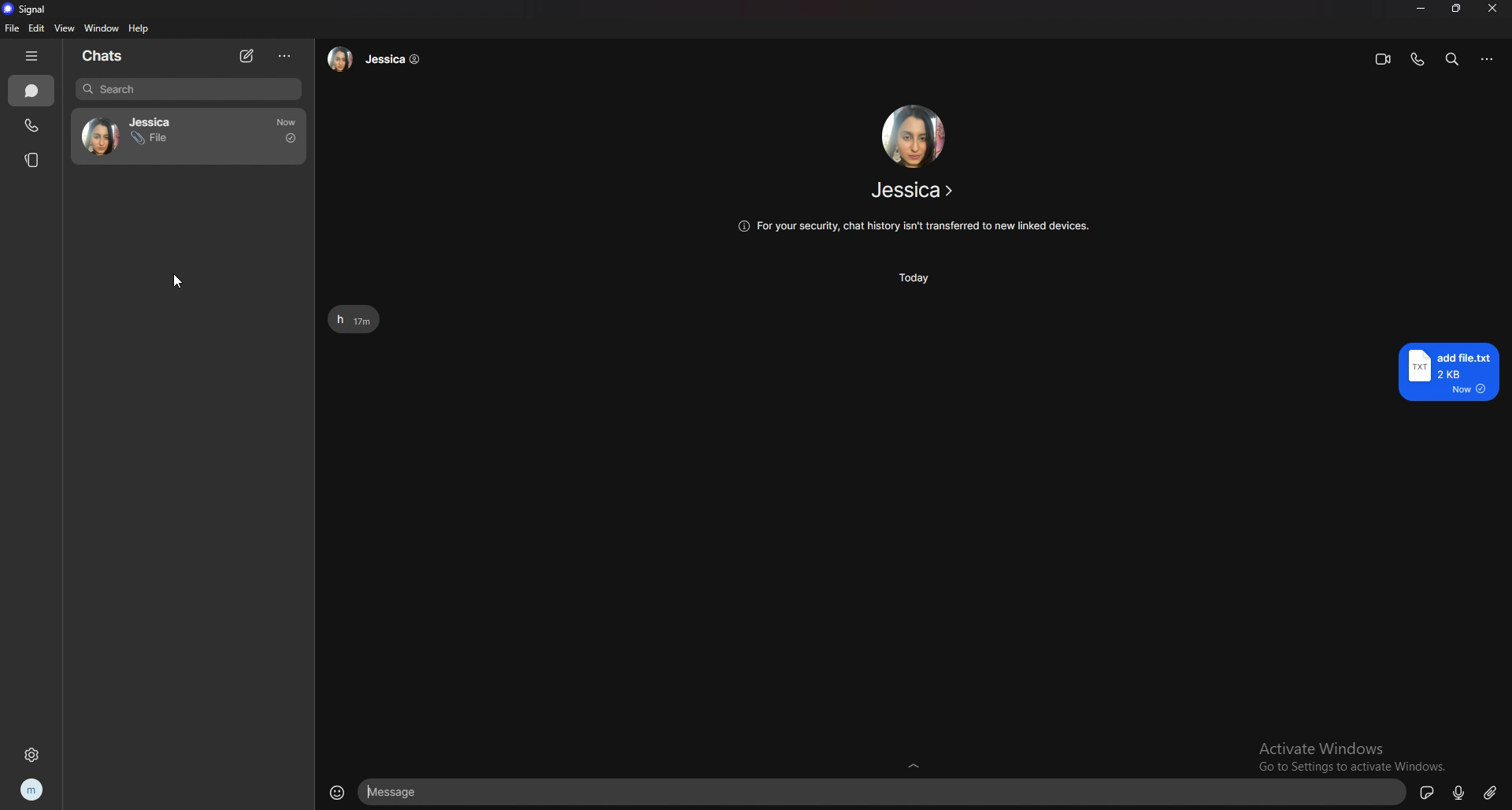 This screenshot has width=1512, height=810. I want to click on 17m, so click(287, 123).